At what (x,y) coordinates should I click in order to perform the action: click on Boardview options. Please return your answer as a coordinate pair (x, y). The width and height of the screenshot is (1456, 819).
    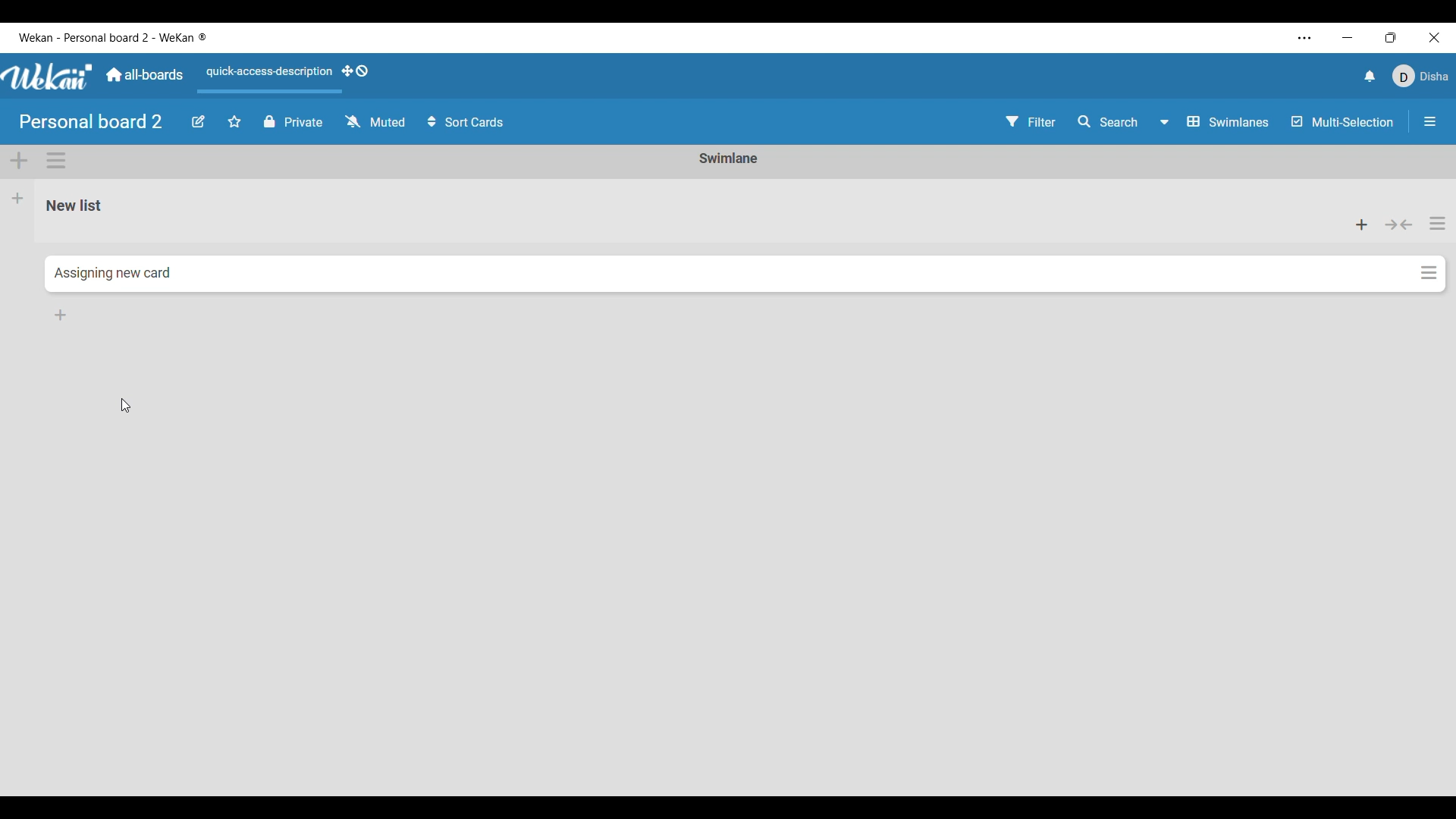
    Looking at the image, I should click on (1216, 122).